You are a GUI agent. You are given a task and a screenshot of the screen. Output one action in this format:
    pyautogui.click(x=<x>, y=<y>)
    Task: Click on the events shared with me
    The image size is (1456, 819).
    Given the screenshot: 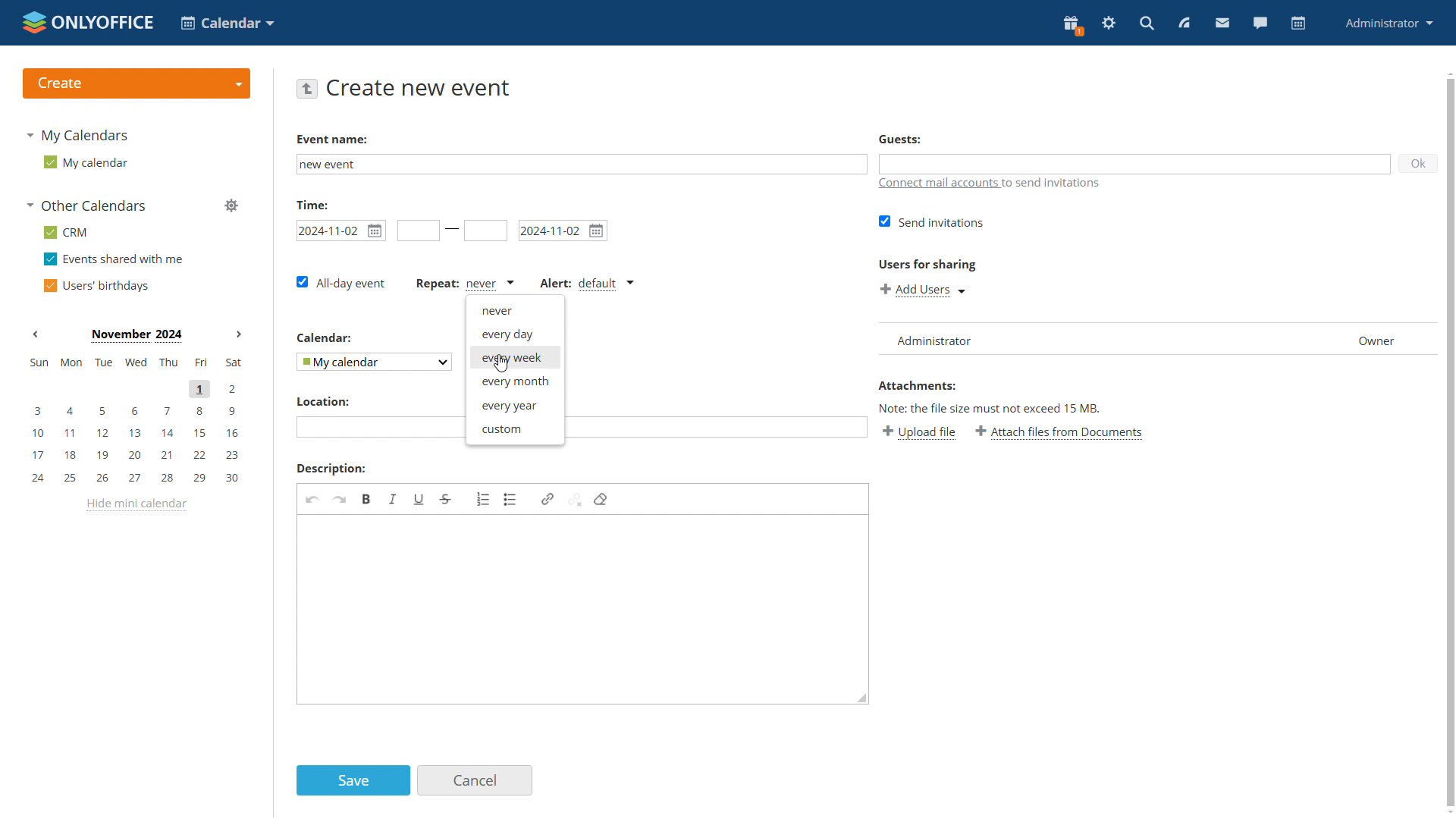 What is the action you would take?
    pyautogui.click(x=113, y=259)
    